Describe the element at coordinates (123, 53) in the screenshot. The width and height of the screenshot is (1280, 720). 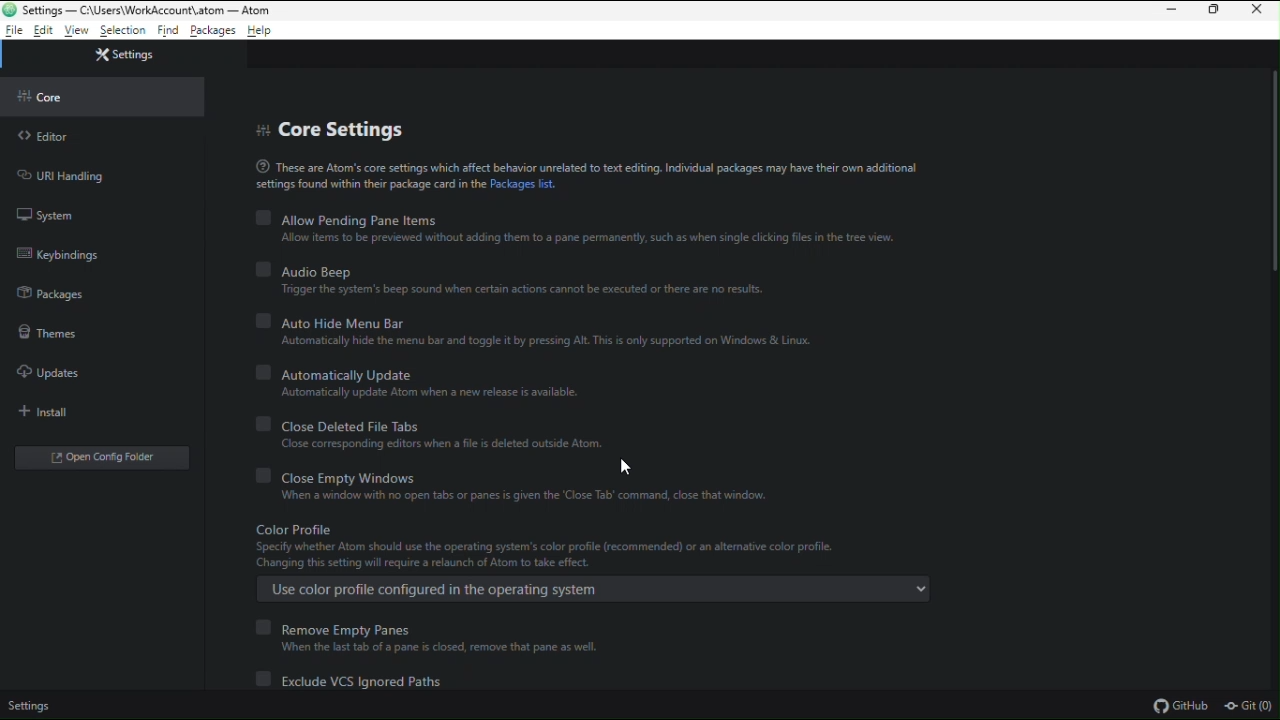
I see `Settings` at that location.